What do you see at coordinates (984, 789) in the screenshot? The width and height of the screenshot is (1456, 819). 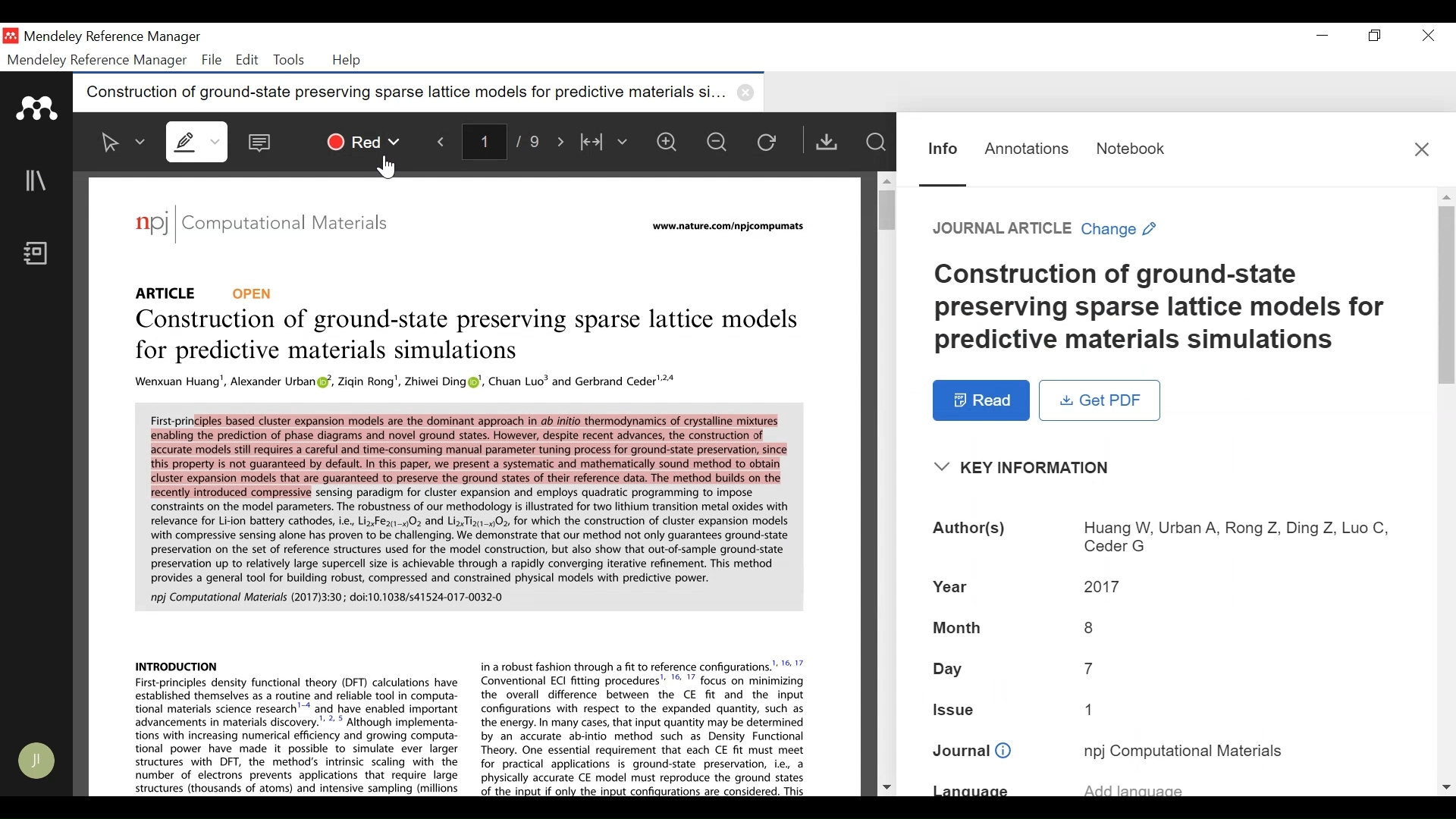 I see `Language` at bounding box center [984, 789].